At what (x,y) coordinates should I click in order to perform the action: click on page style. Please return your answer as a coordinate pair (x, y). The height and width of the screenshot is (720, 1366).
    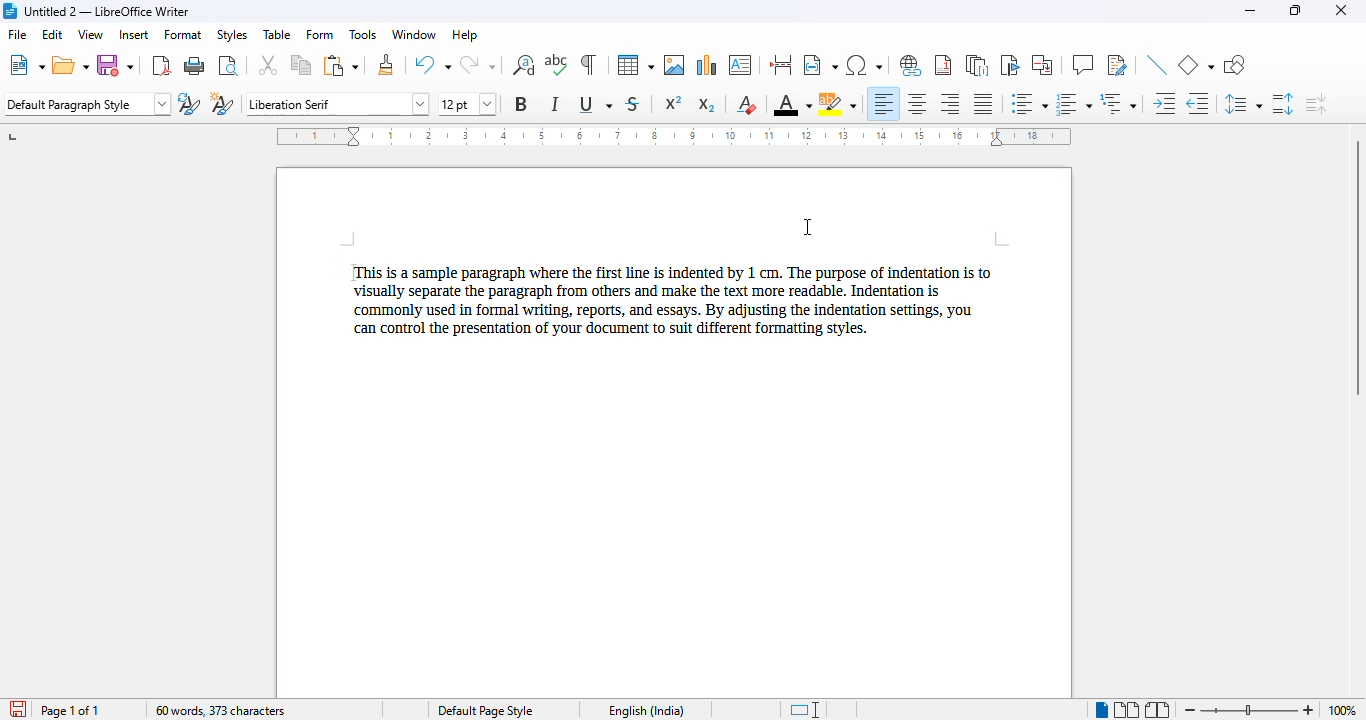
    Looking at the image, I should click on (484, 711).